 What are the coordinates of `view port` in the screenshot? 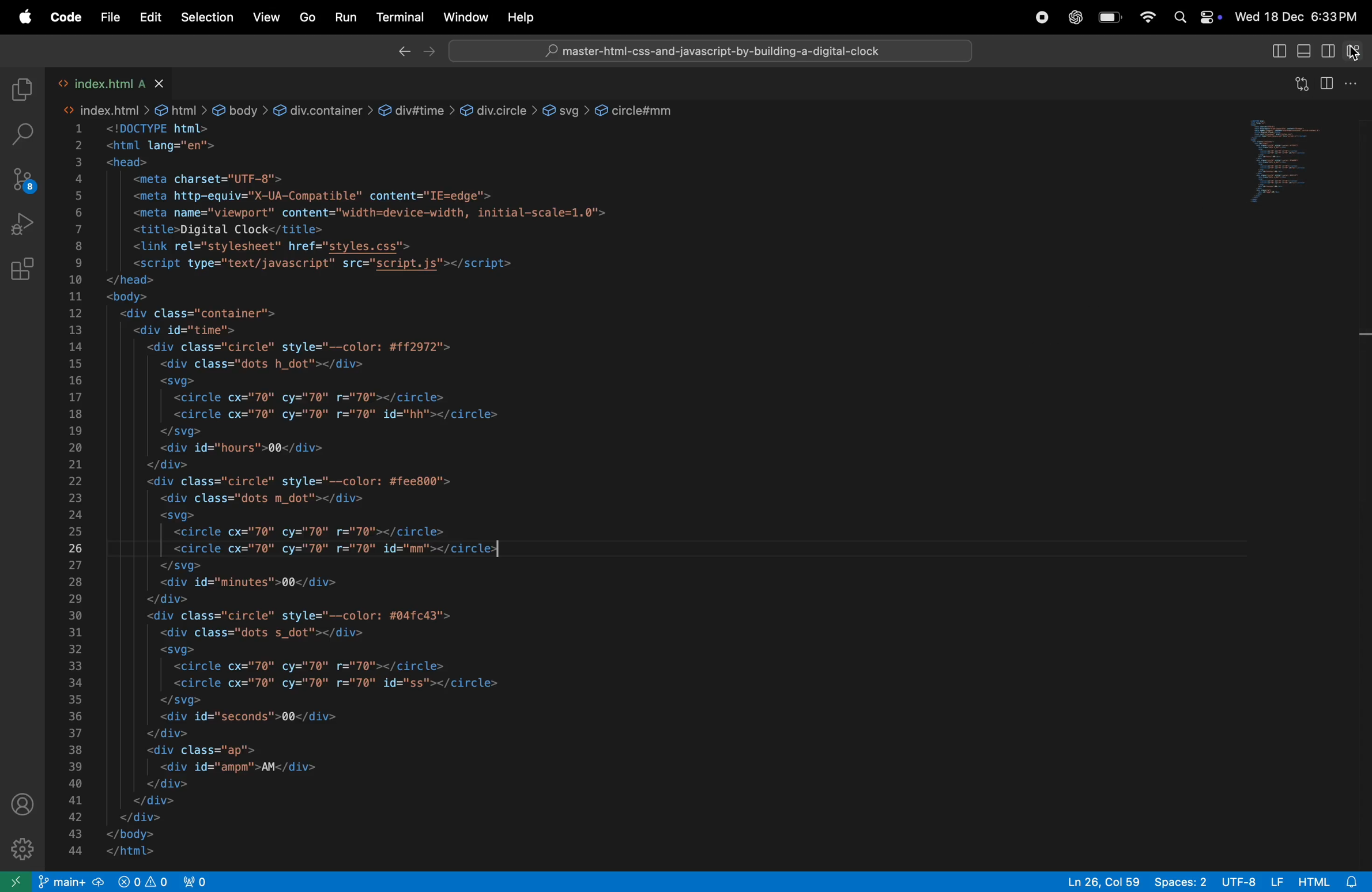 It's located at (144, 882).